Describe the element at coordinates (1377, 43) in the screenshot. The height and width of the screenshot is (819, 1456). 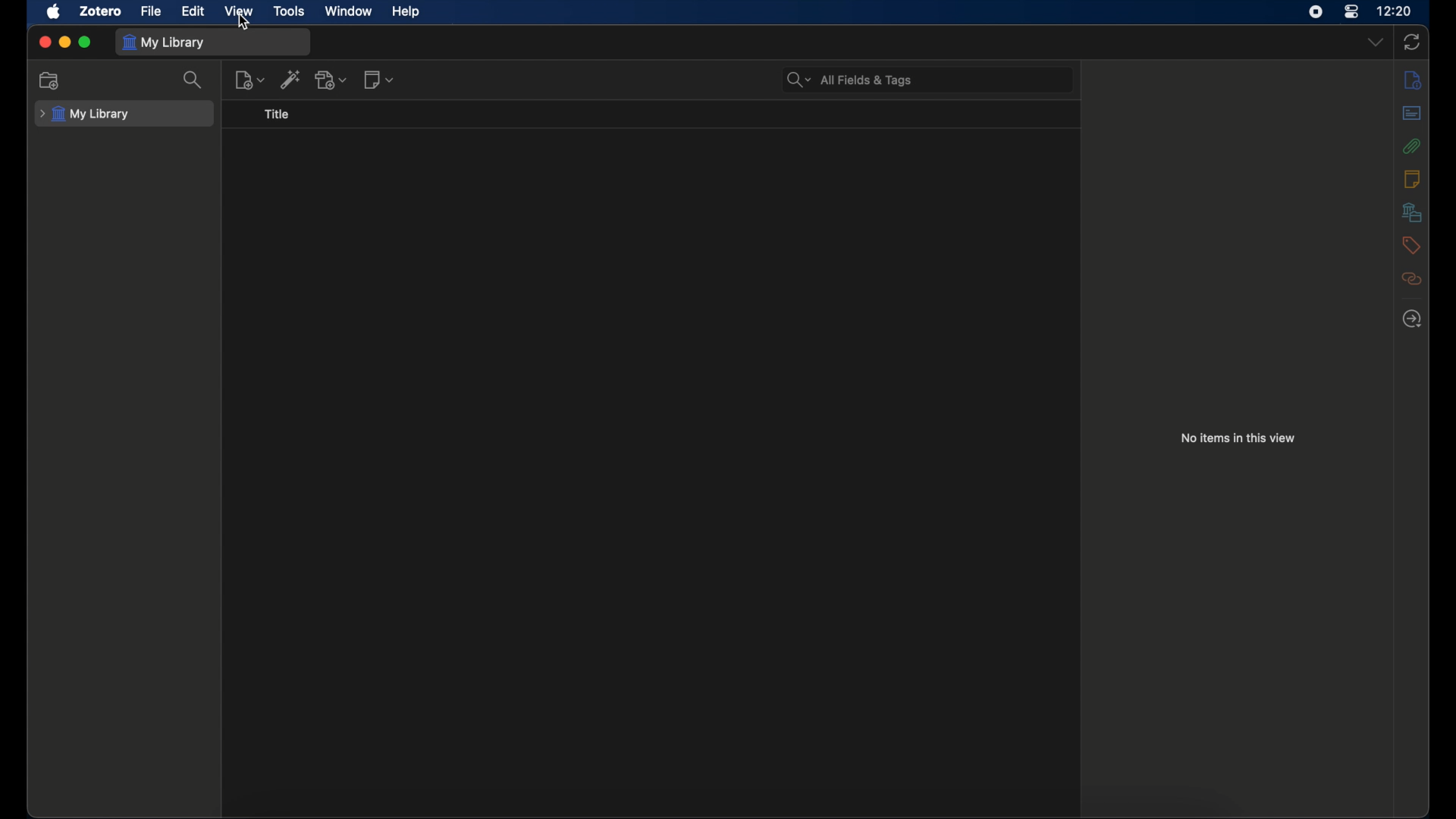
I see `dropdown` at that location.